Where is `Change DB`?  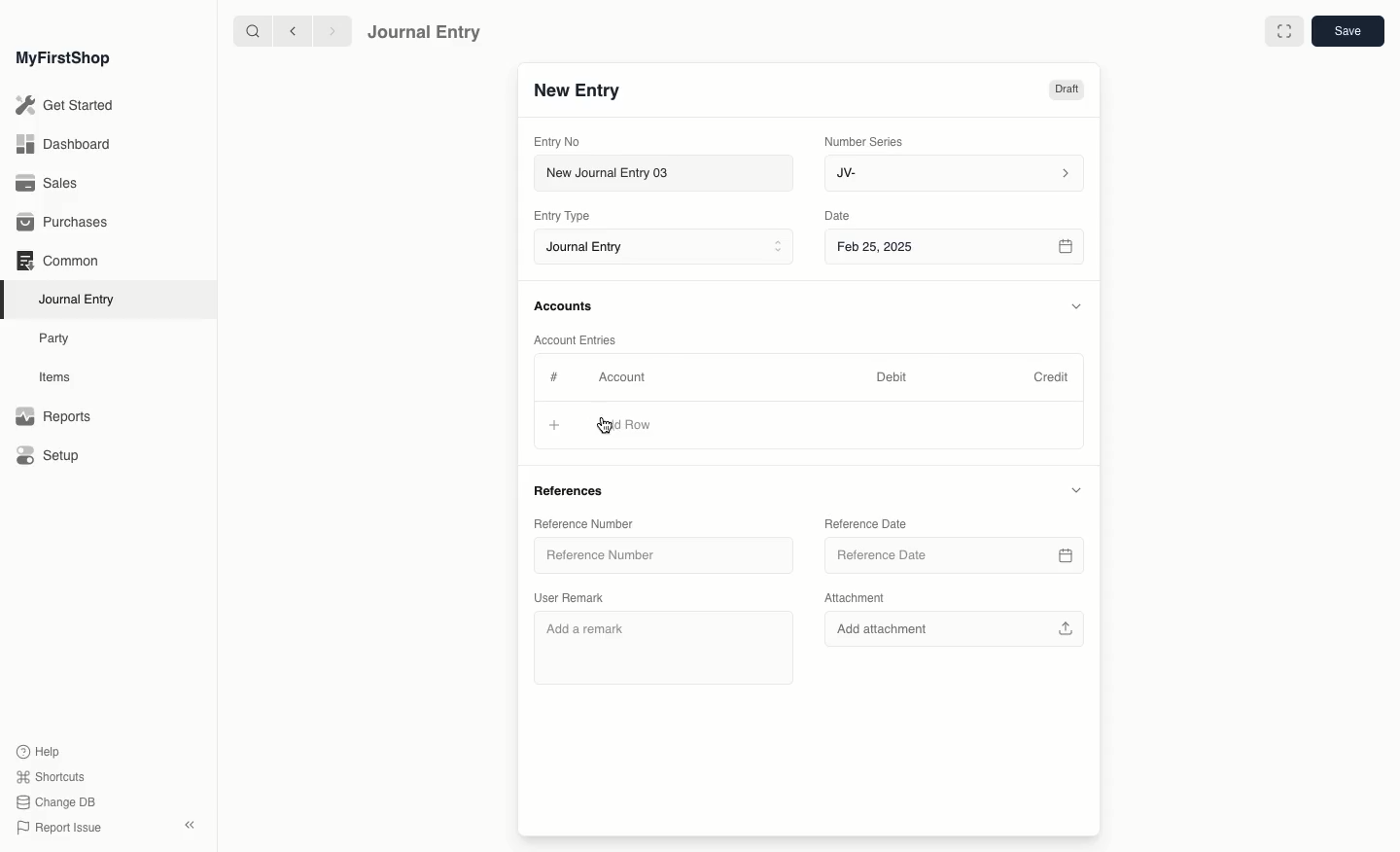
Change DB is located at coordinates (56, 803).